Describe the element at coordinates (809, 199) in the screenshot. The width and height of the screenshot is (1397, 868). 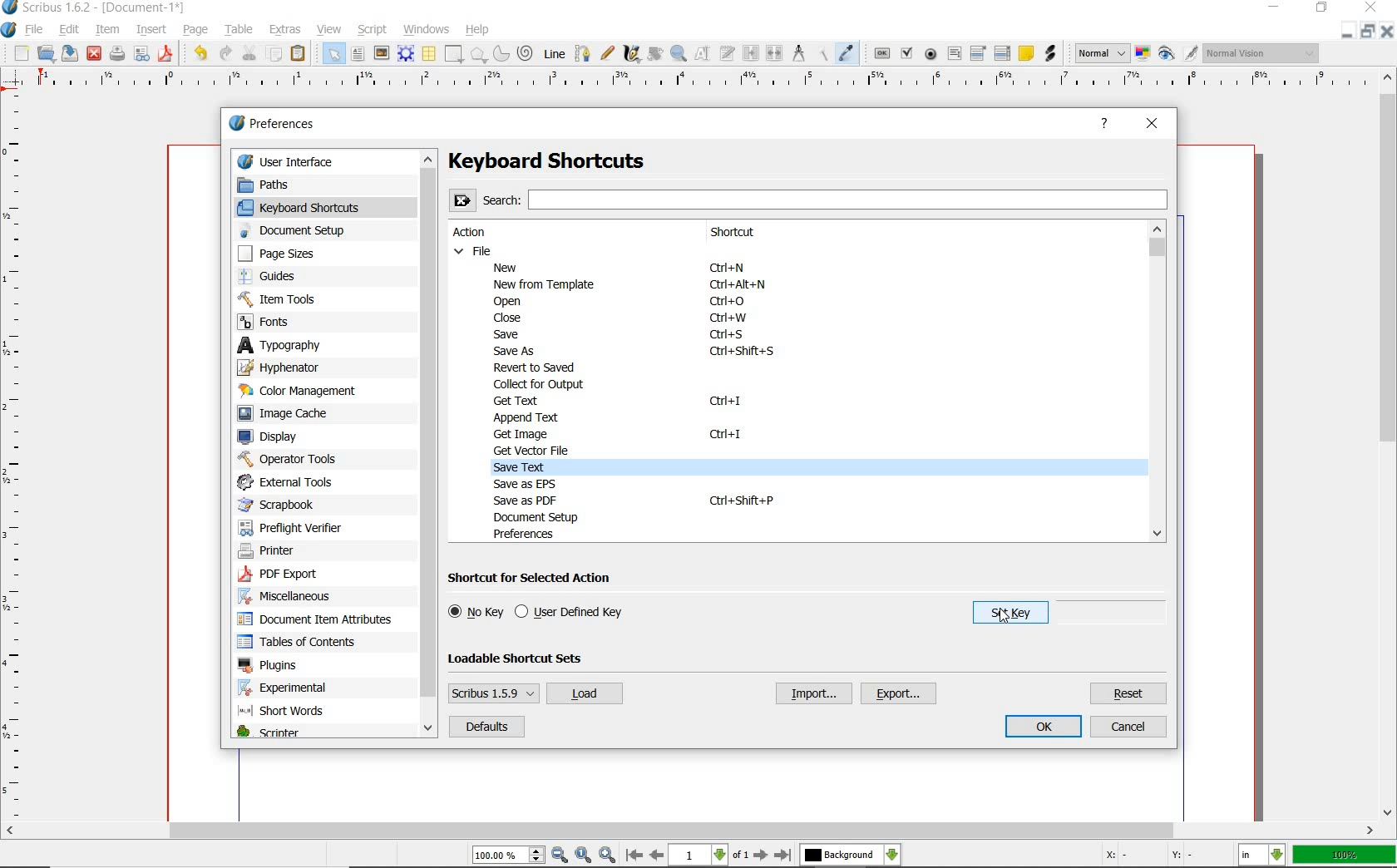
I see `Search` at that location.